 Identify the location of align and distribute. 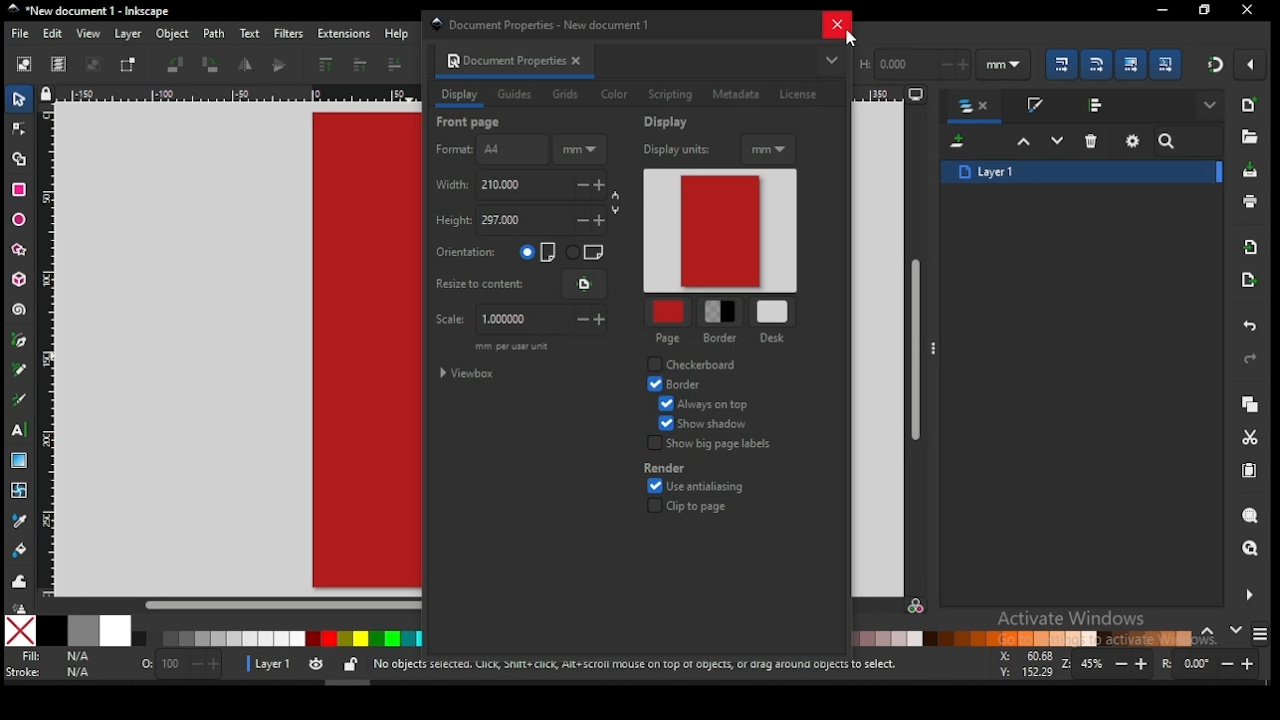
(1098, 104).